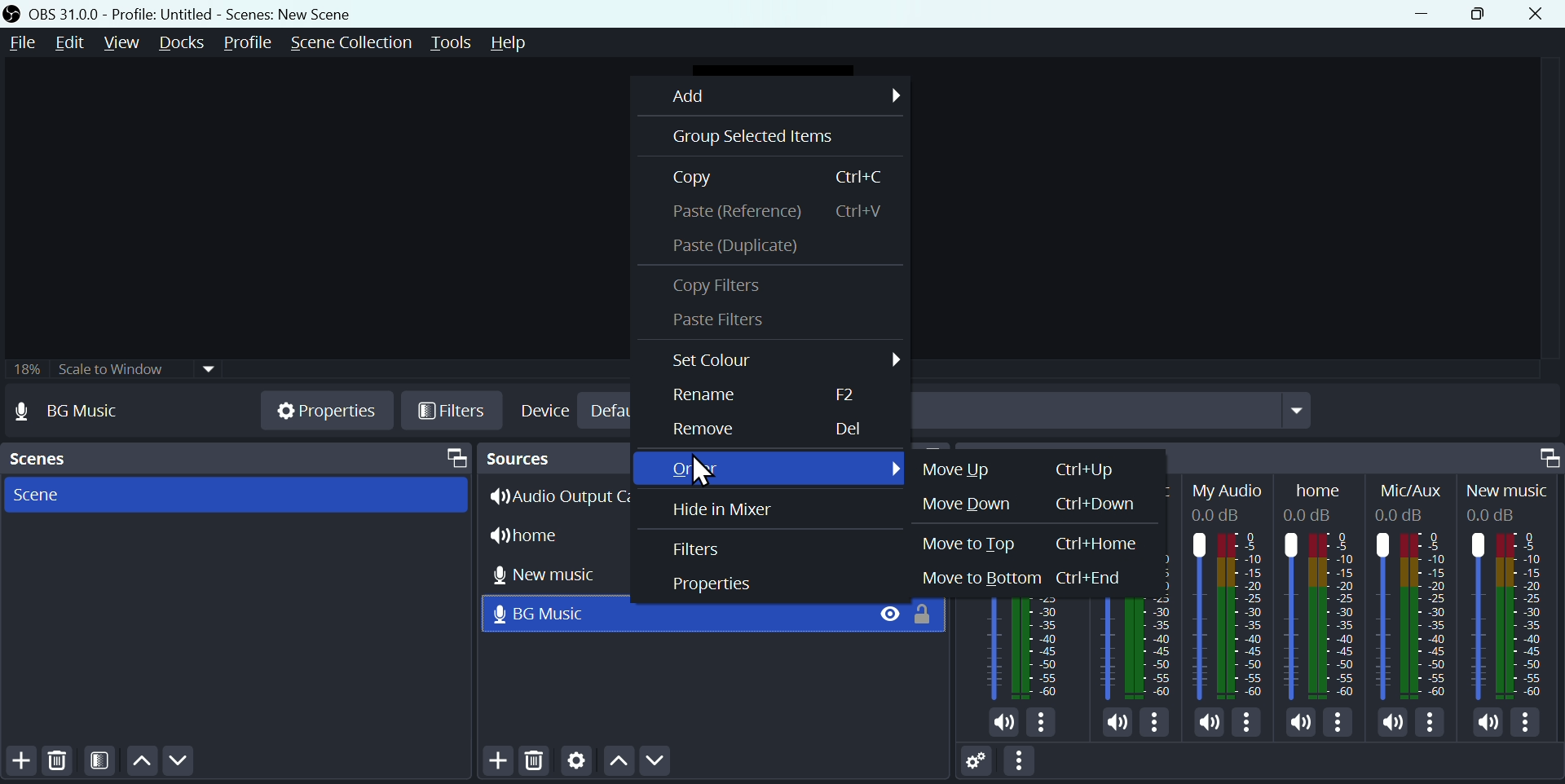 This screenshot has height=784, width=1565. Describe the element at coordinates (55, 764) in the screenshot. I see `Delete` at that location.